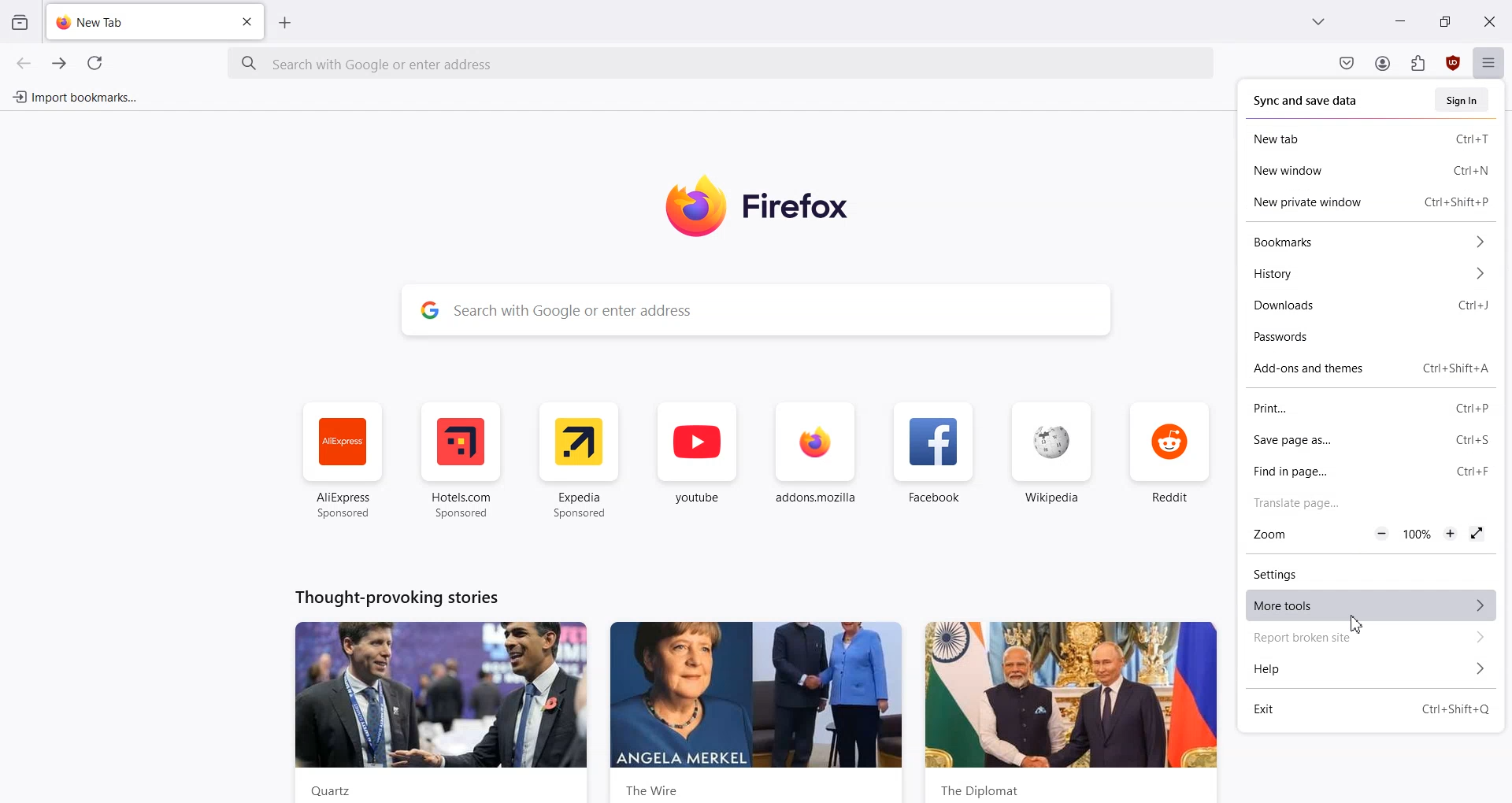  Describe the element at coordinates (1332, 308) in the screenshot. I see `Downloads` at that location.